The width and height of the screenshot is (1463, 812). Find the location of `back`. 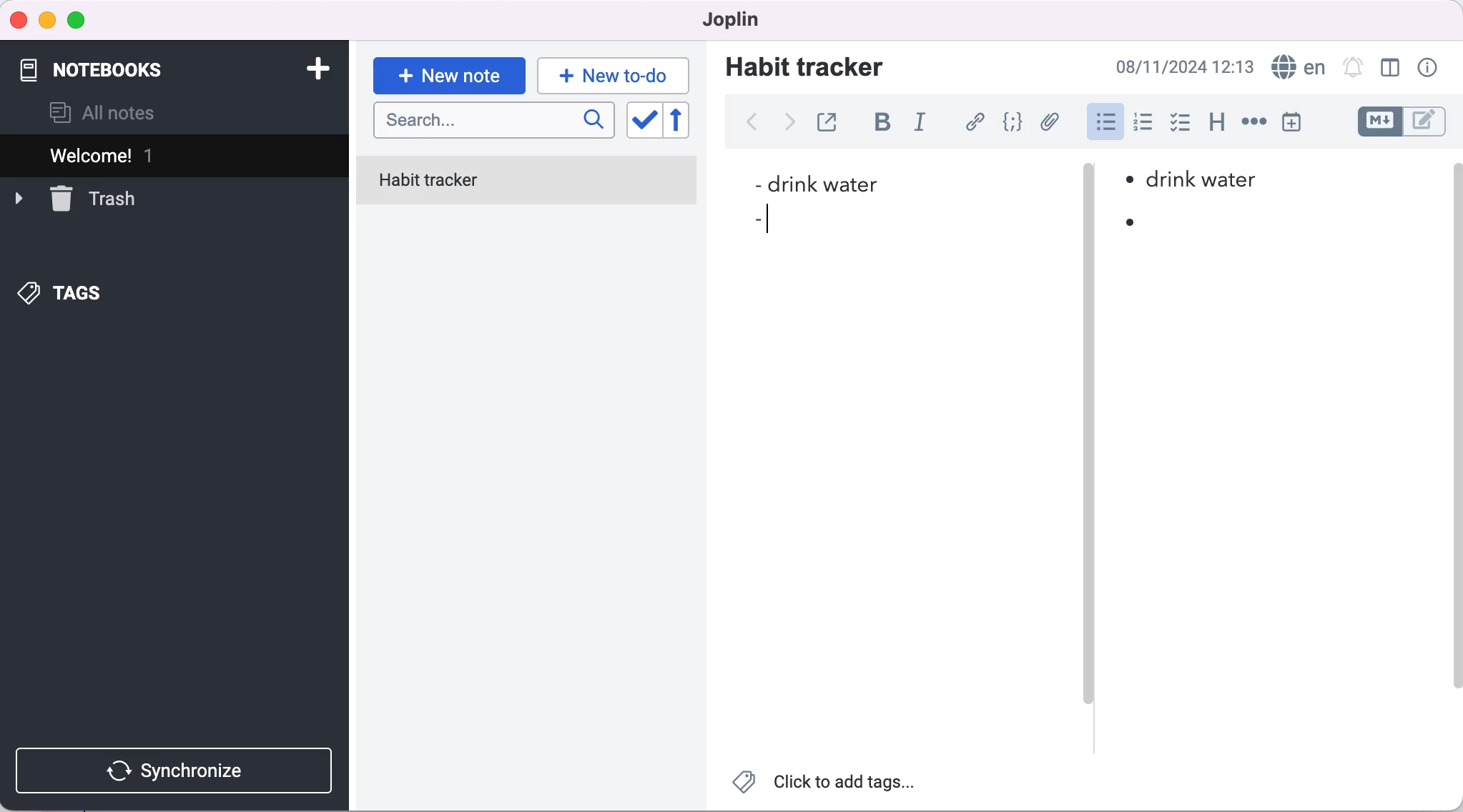

back is located at coordinates (751, 122).